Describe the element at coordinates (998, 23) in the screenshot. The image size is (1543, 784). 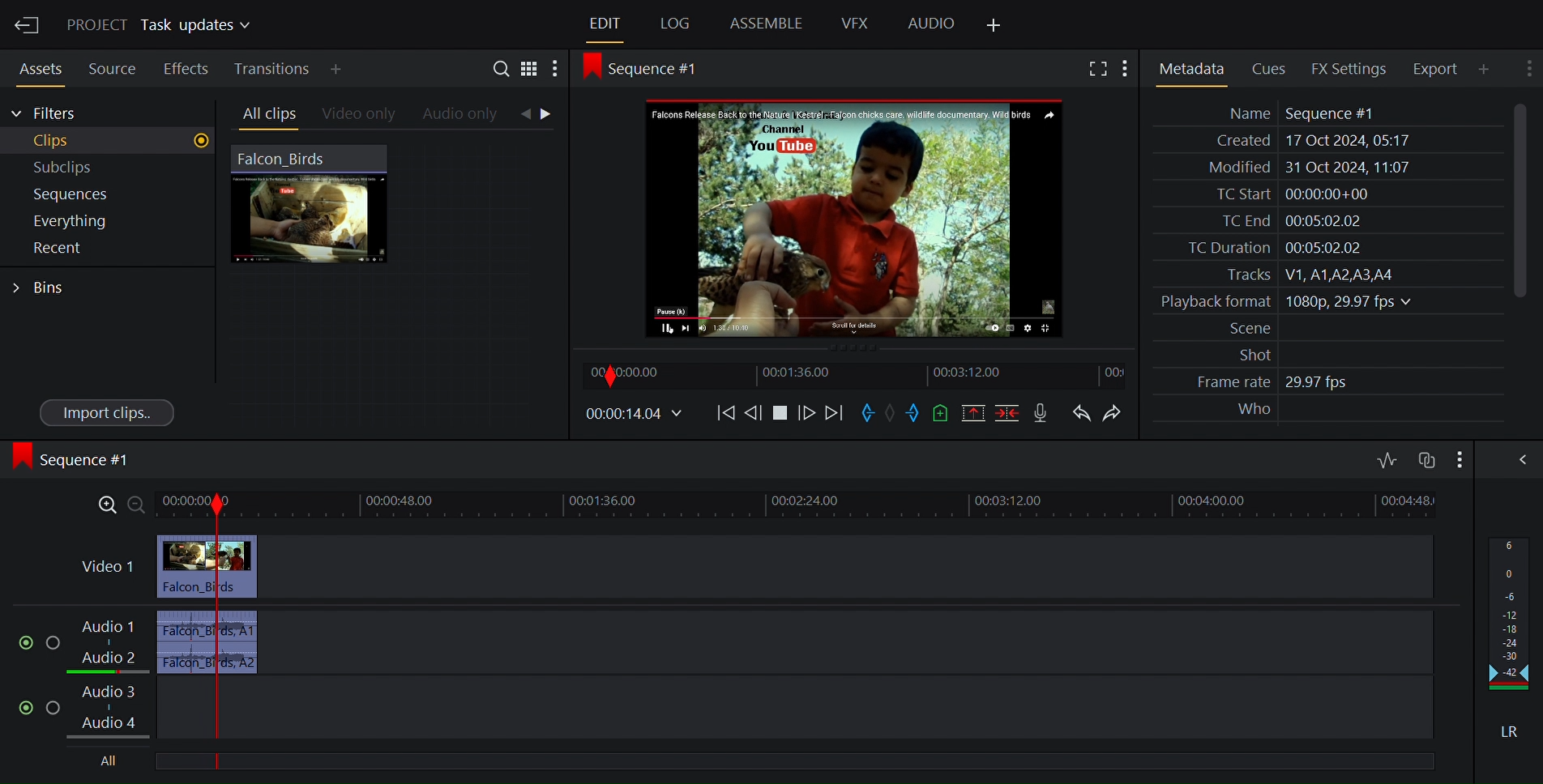
I see `Add Panel` at that location.